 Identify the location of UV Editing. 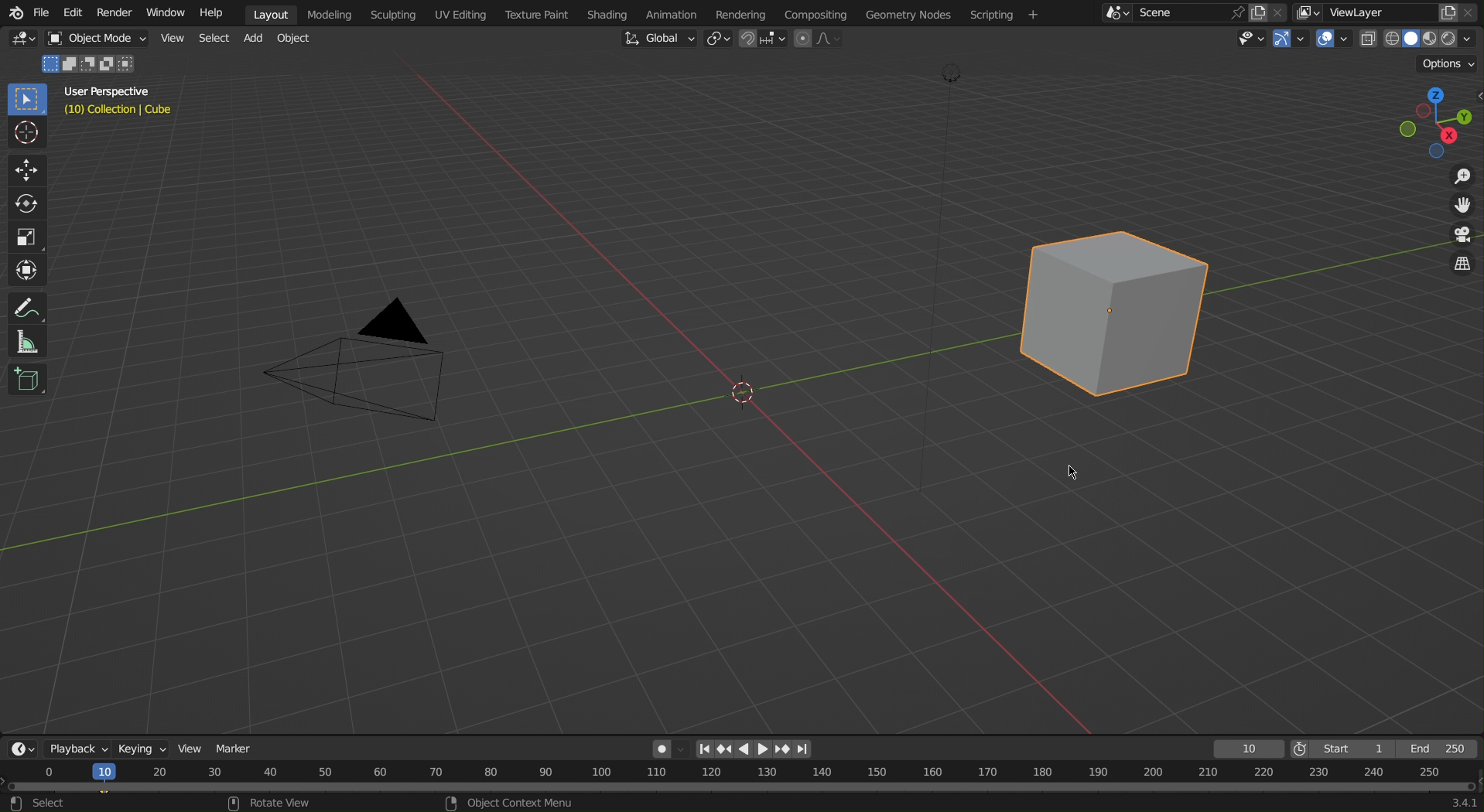
(460, 14).